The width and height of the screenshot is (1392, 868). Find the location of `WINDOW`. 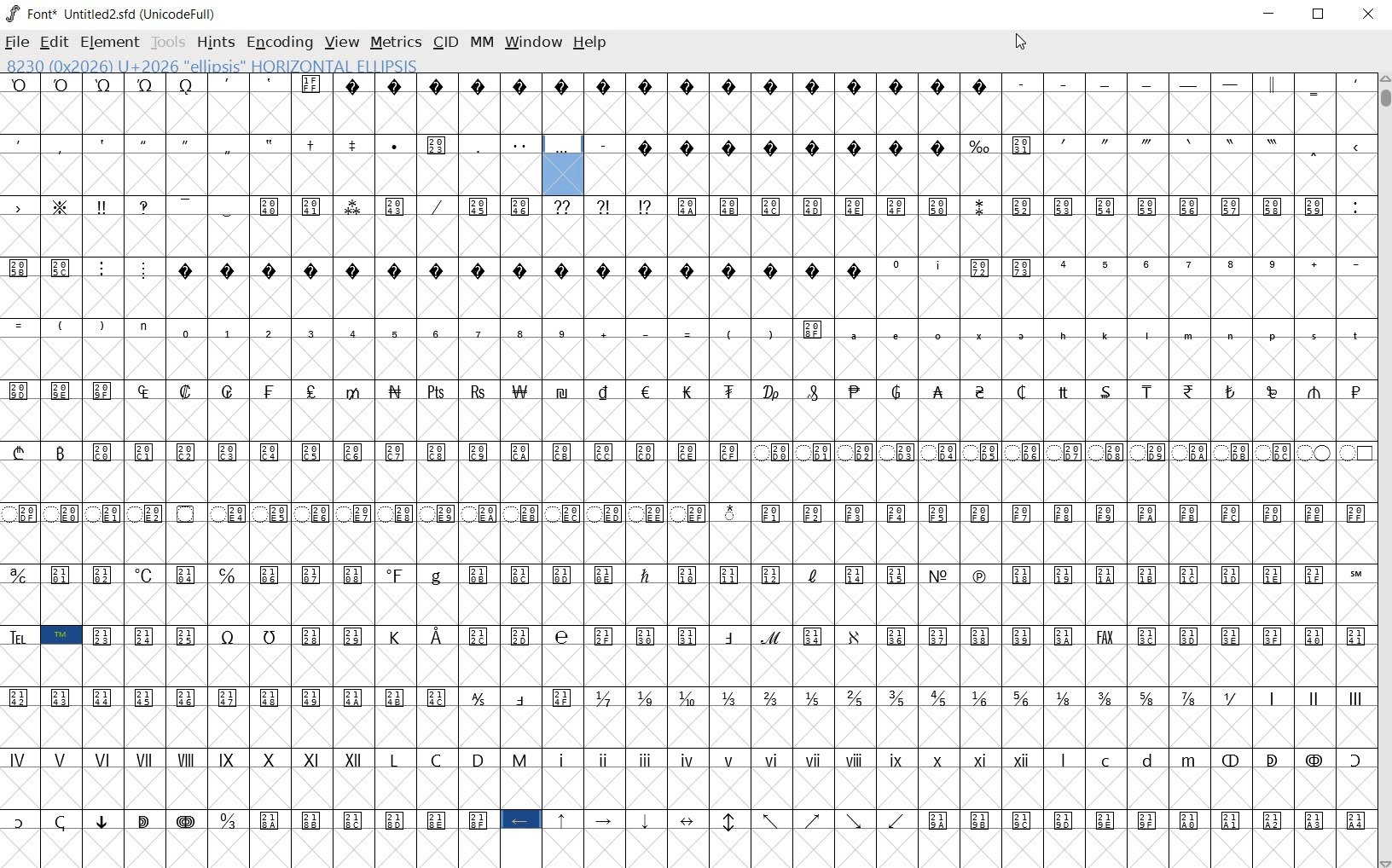

WINDOW is located at coordinates (532, 41).